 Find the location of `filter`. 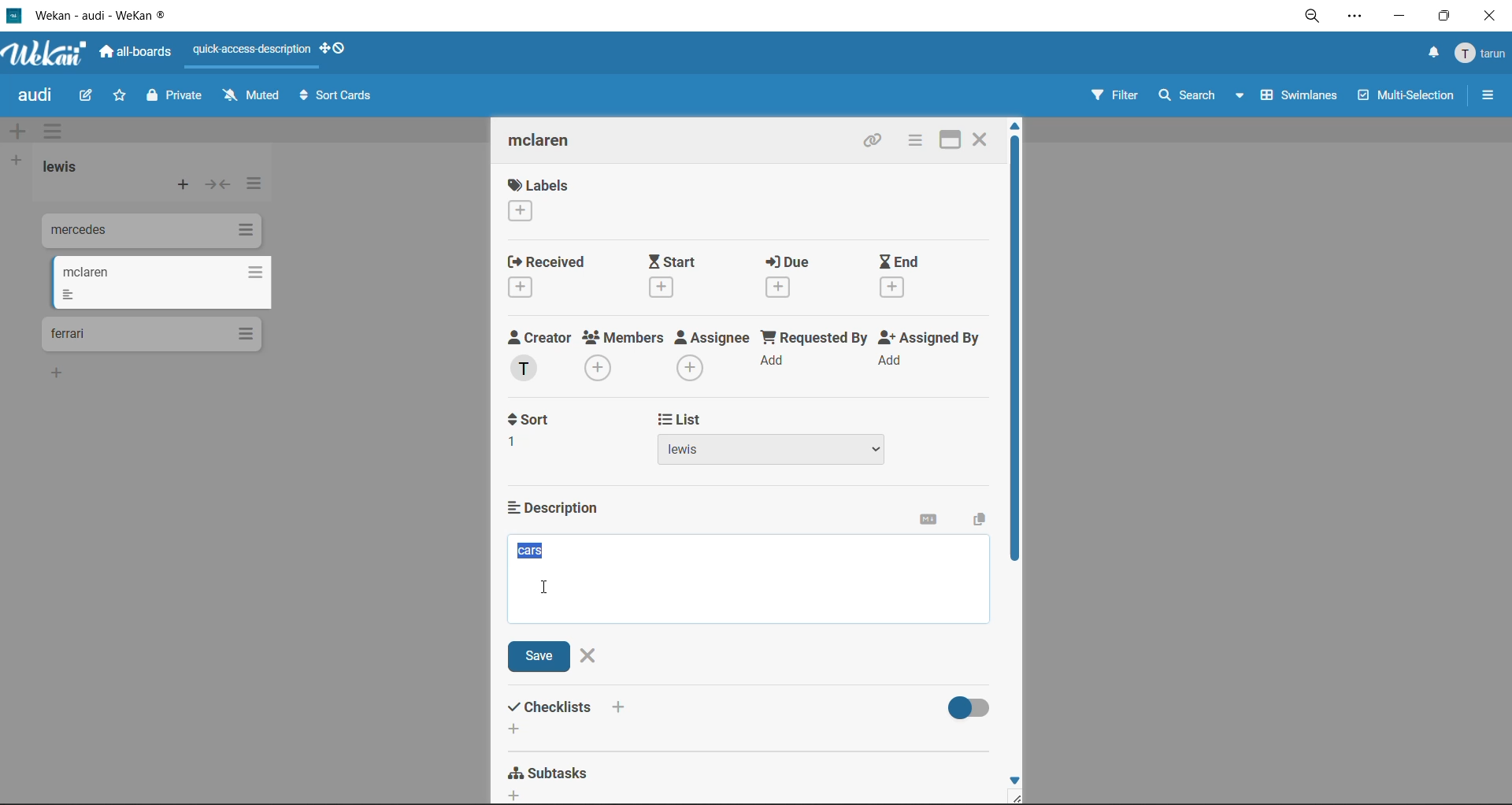

filter is located at coordinates (1114, 97).